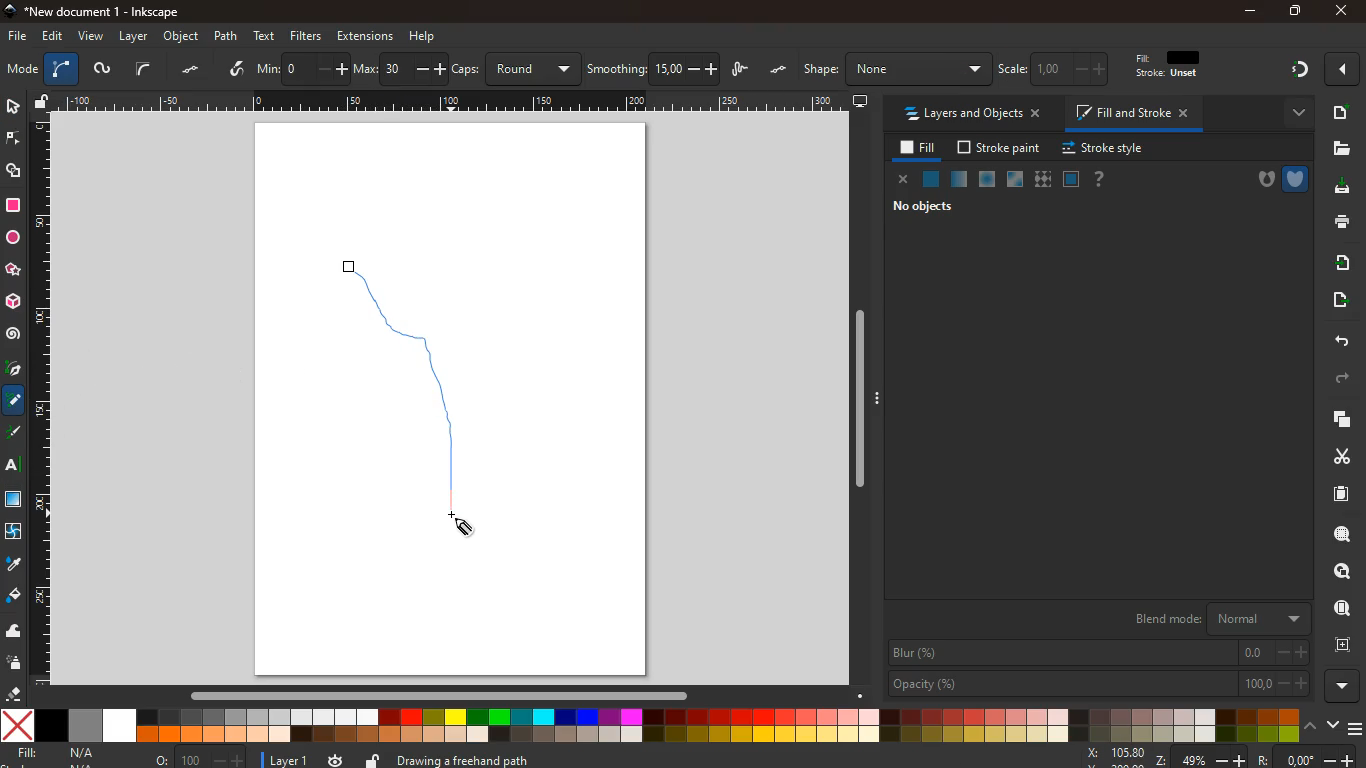 The width and height of the screenshot is (1366, 768). What do you see at coordinates (465, 524) in the screenshot?
I see `draw-cursor` at bounding box center [465, 524].